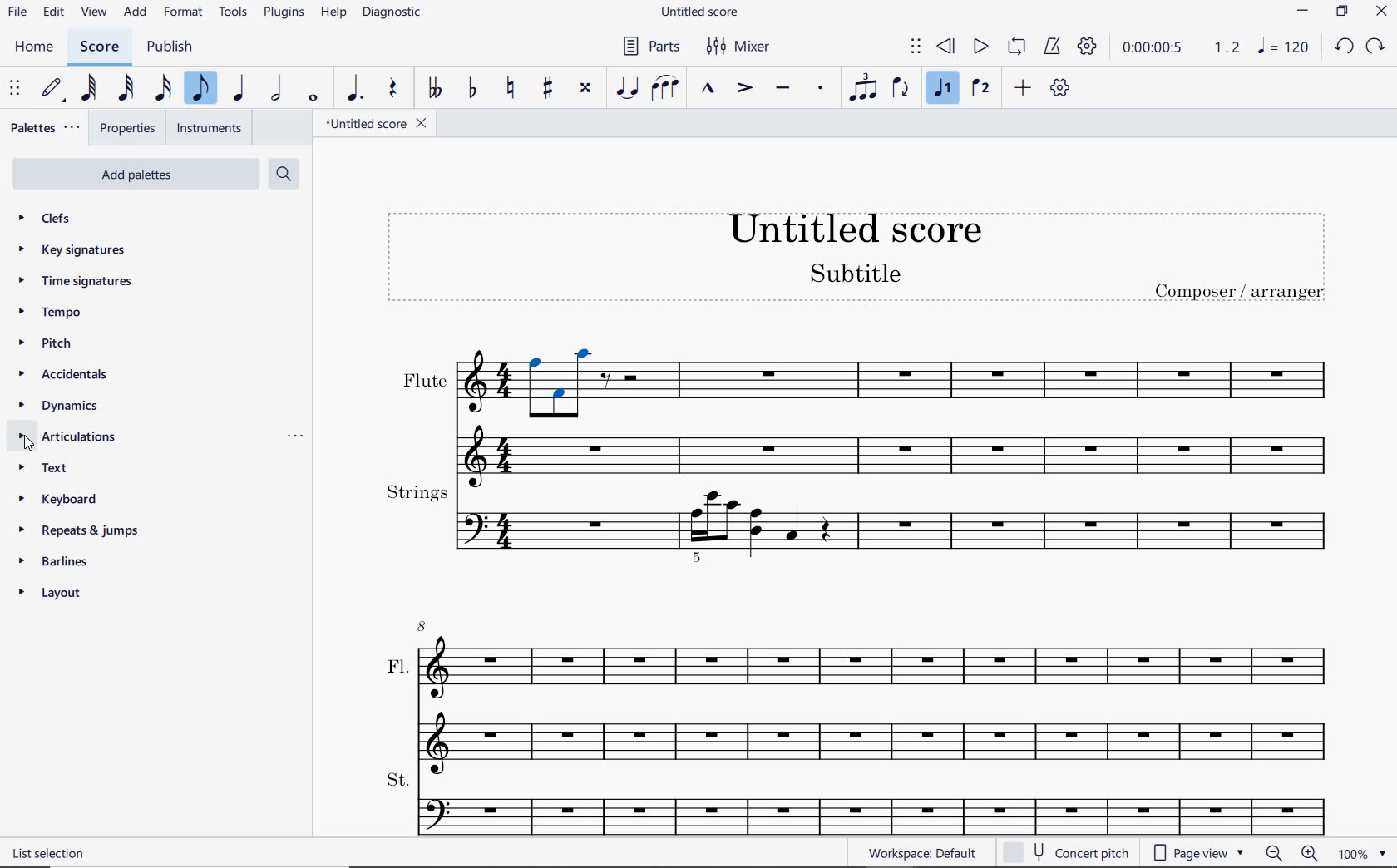 The height and width of the screenshot is (868, 1397). Describe the element at coordinates (91, 13) in the screenshot. I see `view` at that location.